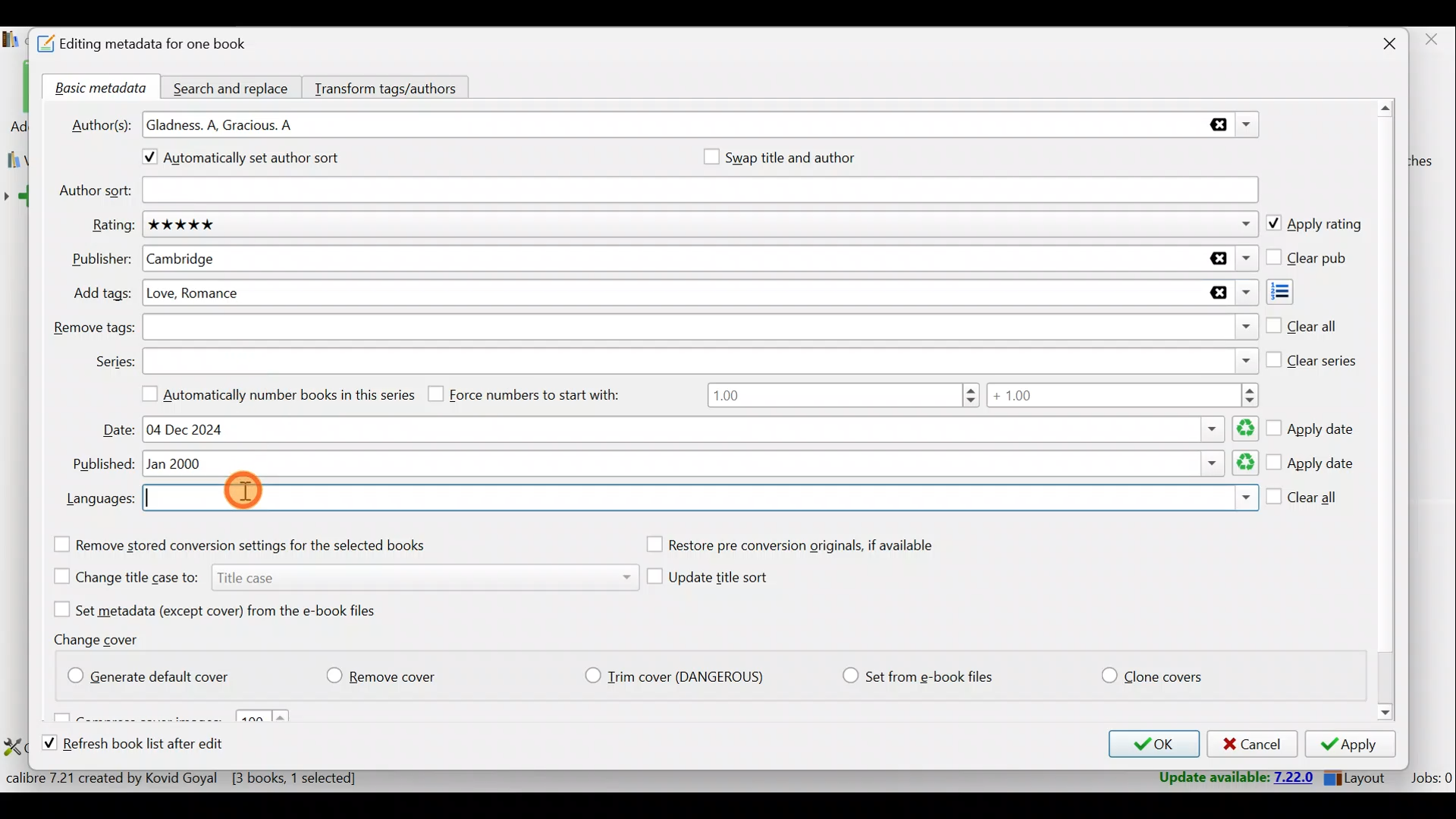 The image size is (1456, 819). I want to click on Clone covers, so click(1149, 673).